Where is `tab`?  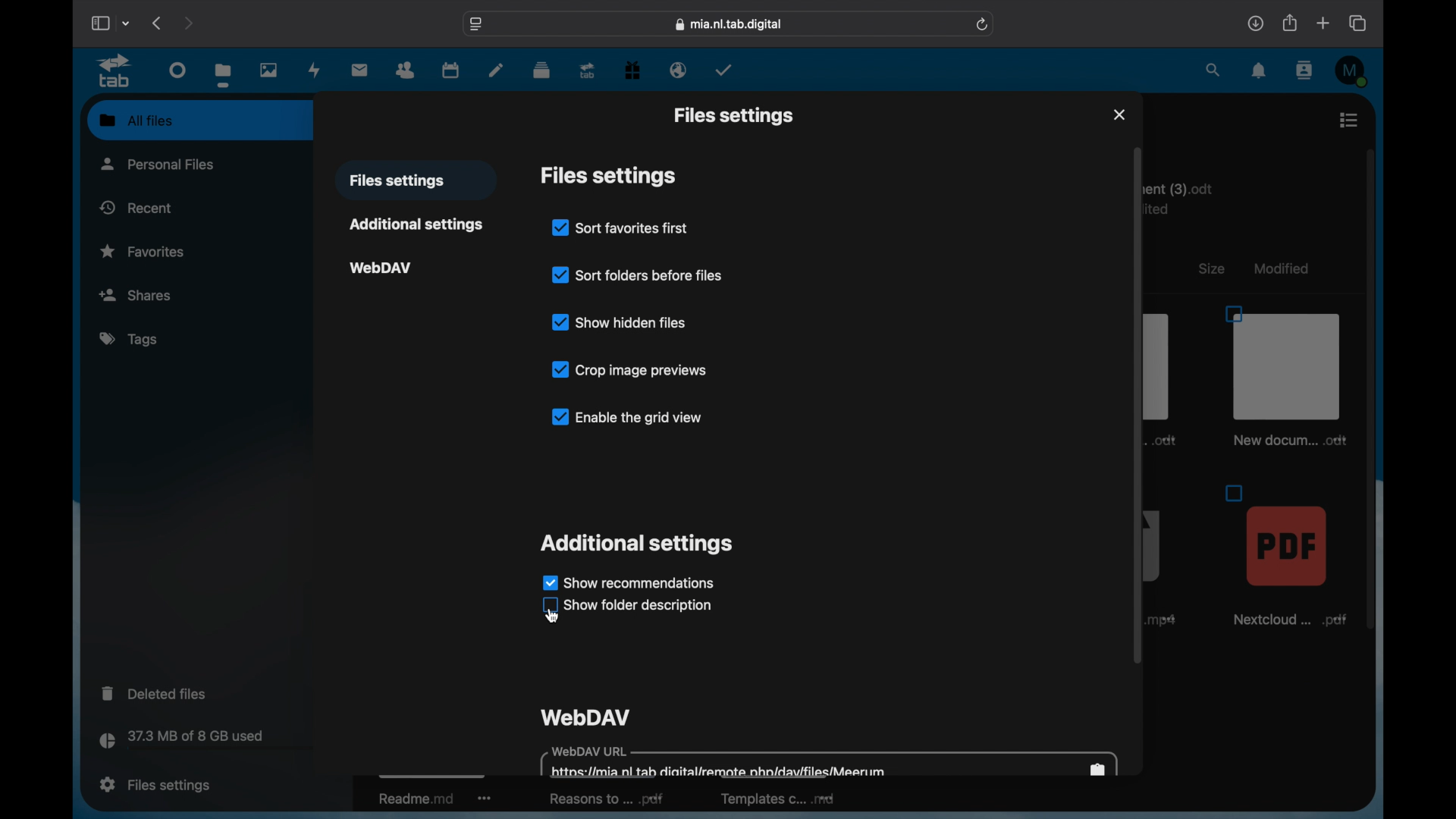 tab is located at coordinates (588, 71).